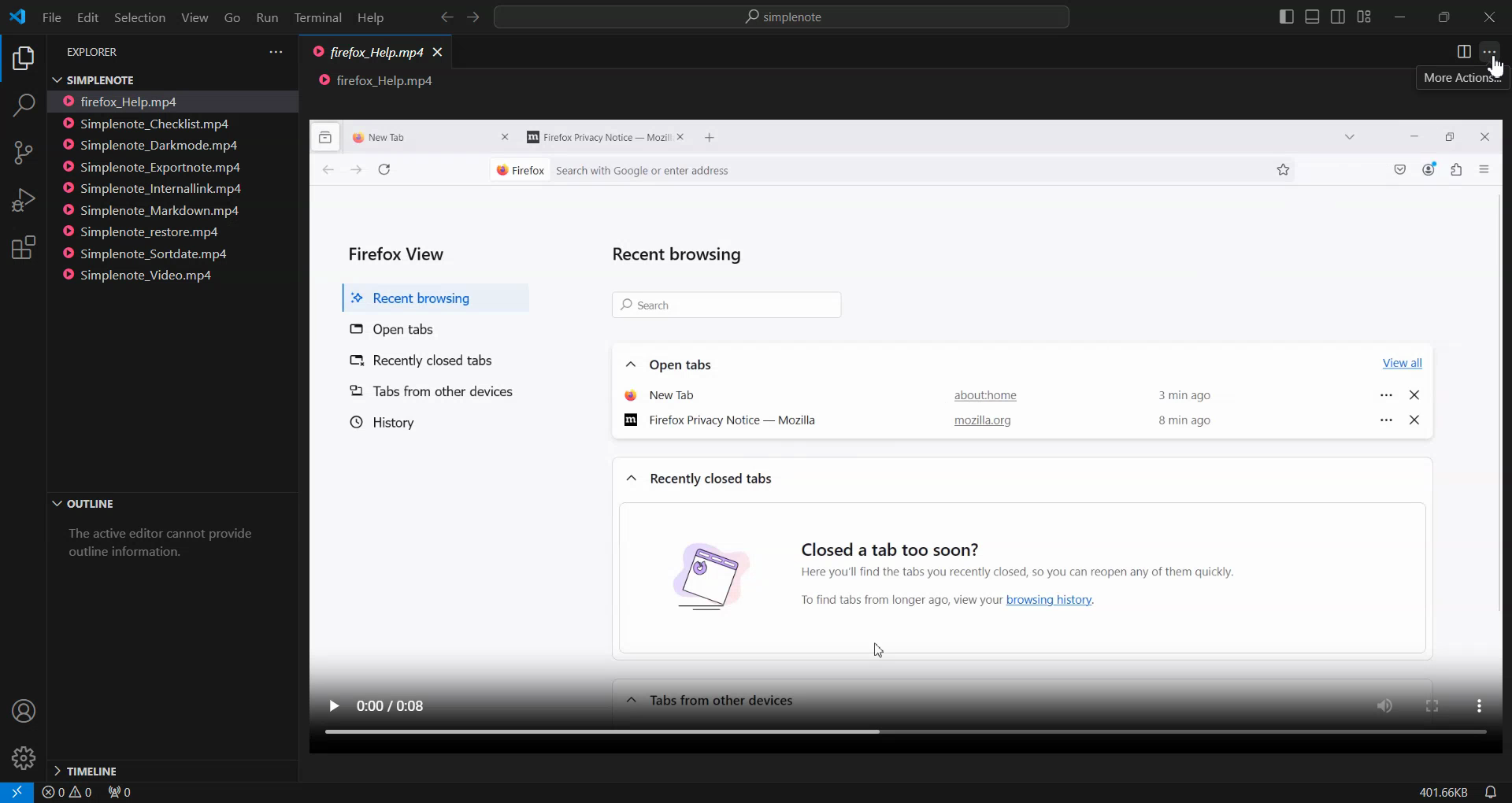  What do you see at coordinates (23, 153) in the screenshot?
I see `Source control` at bounding box center [23, 153].